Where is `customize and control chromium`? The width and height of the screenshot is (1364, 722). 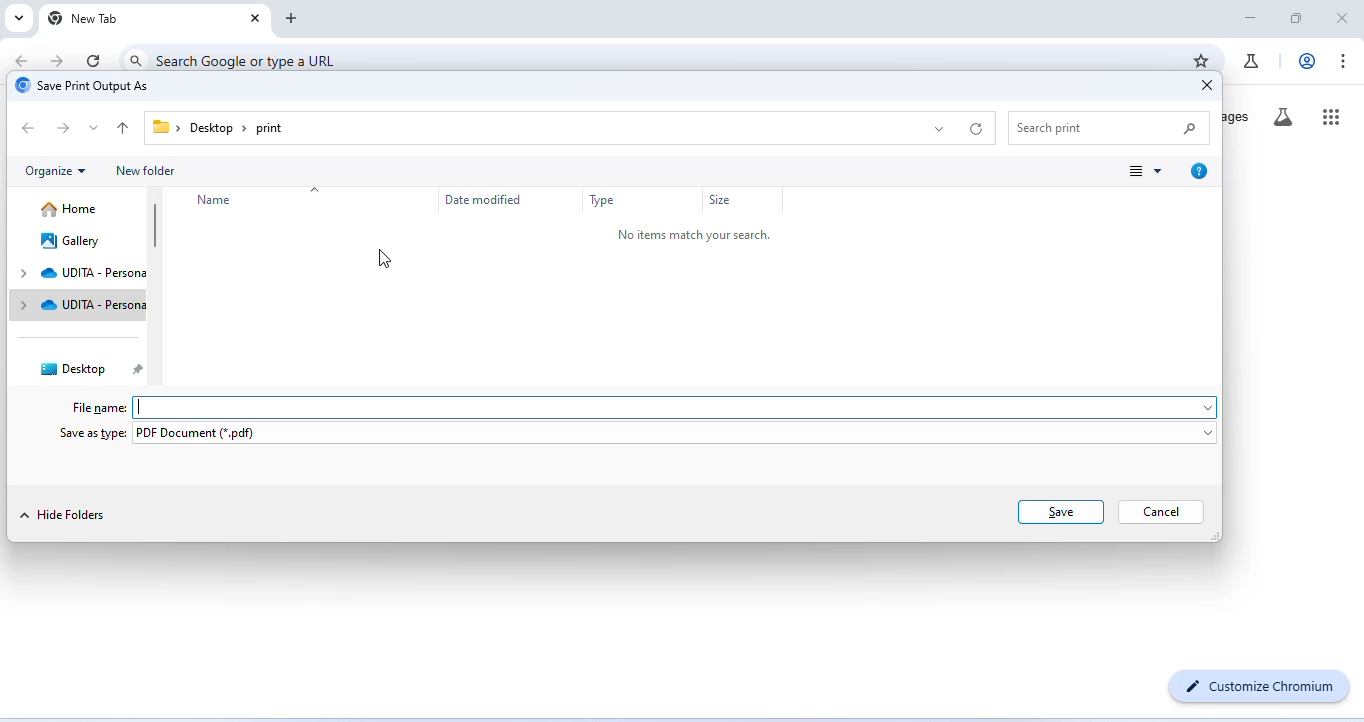
customize and control chromium is located at coordinates (1342, 61).